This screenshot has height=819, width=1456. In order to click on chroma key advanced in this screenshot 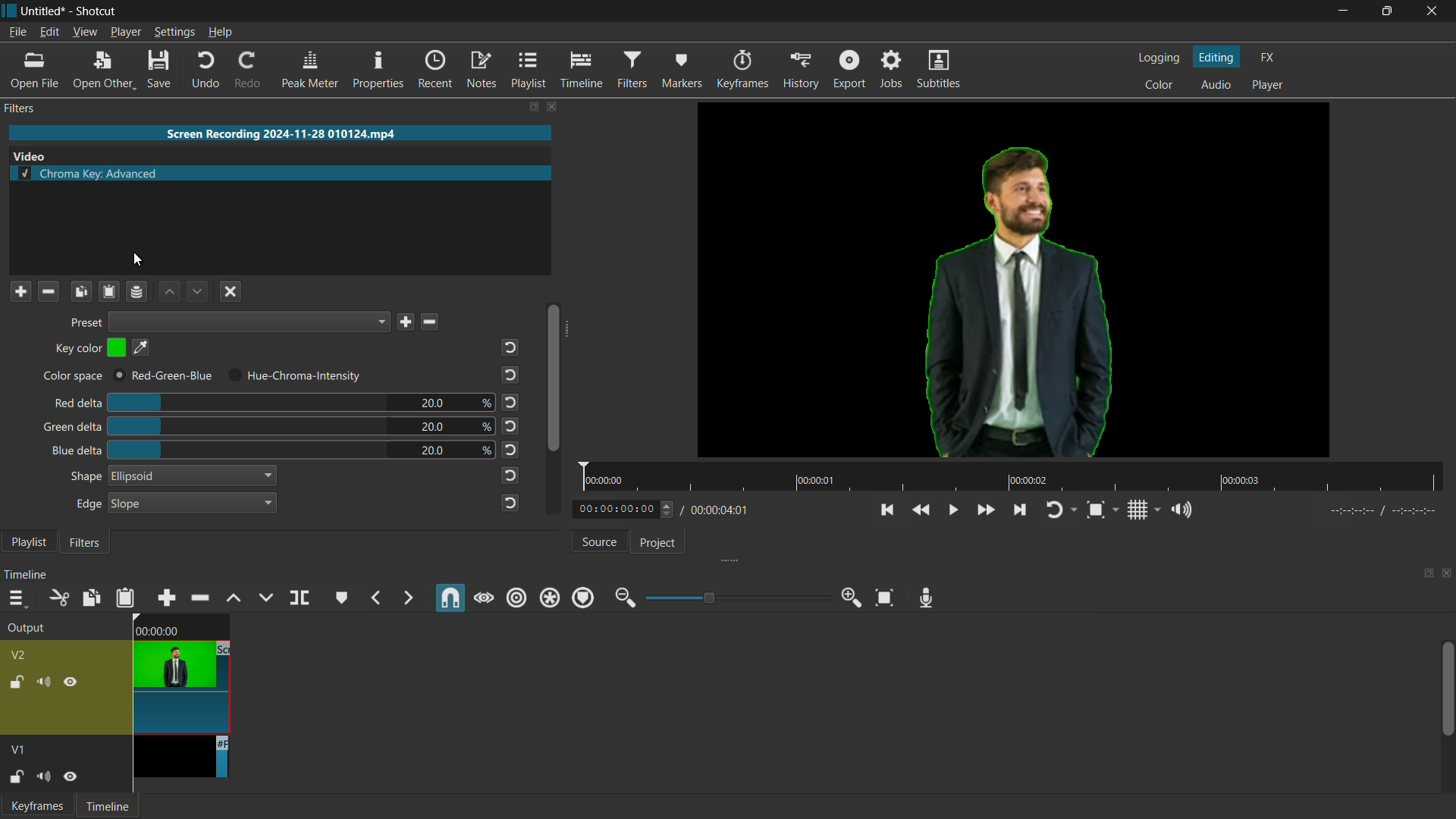, I will do `click(87, 173)`.